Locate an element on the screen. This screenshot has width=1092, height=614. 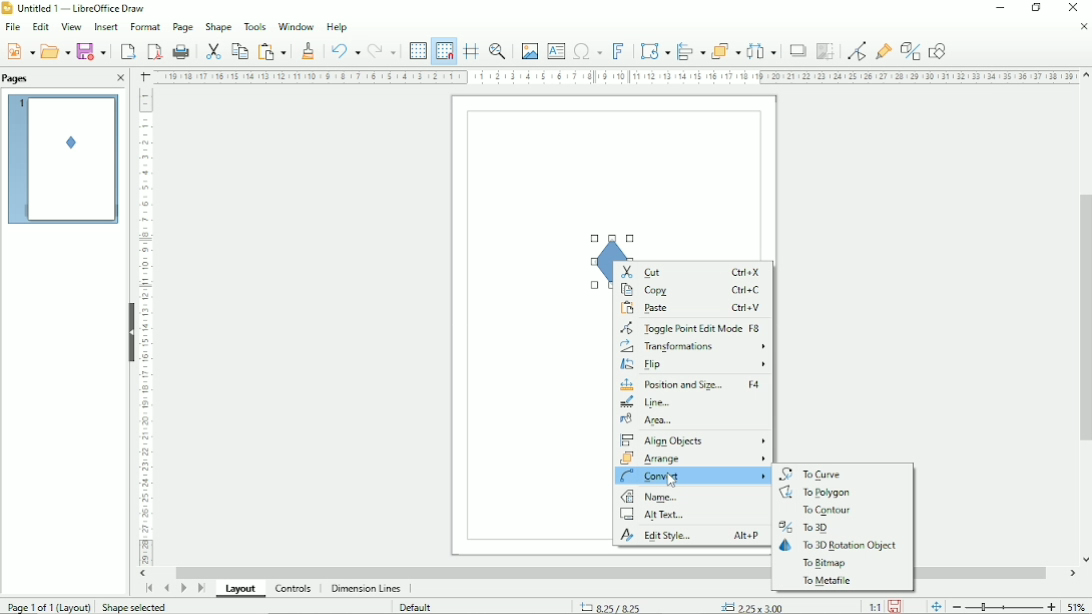
Name is located at coordinates (655, 498).